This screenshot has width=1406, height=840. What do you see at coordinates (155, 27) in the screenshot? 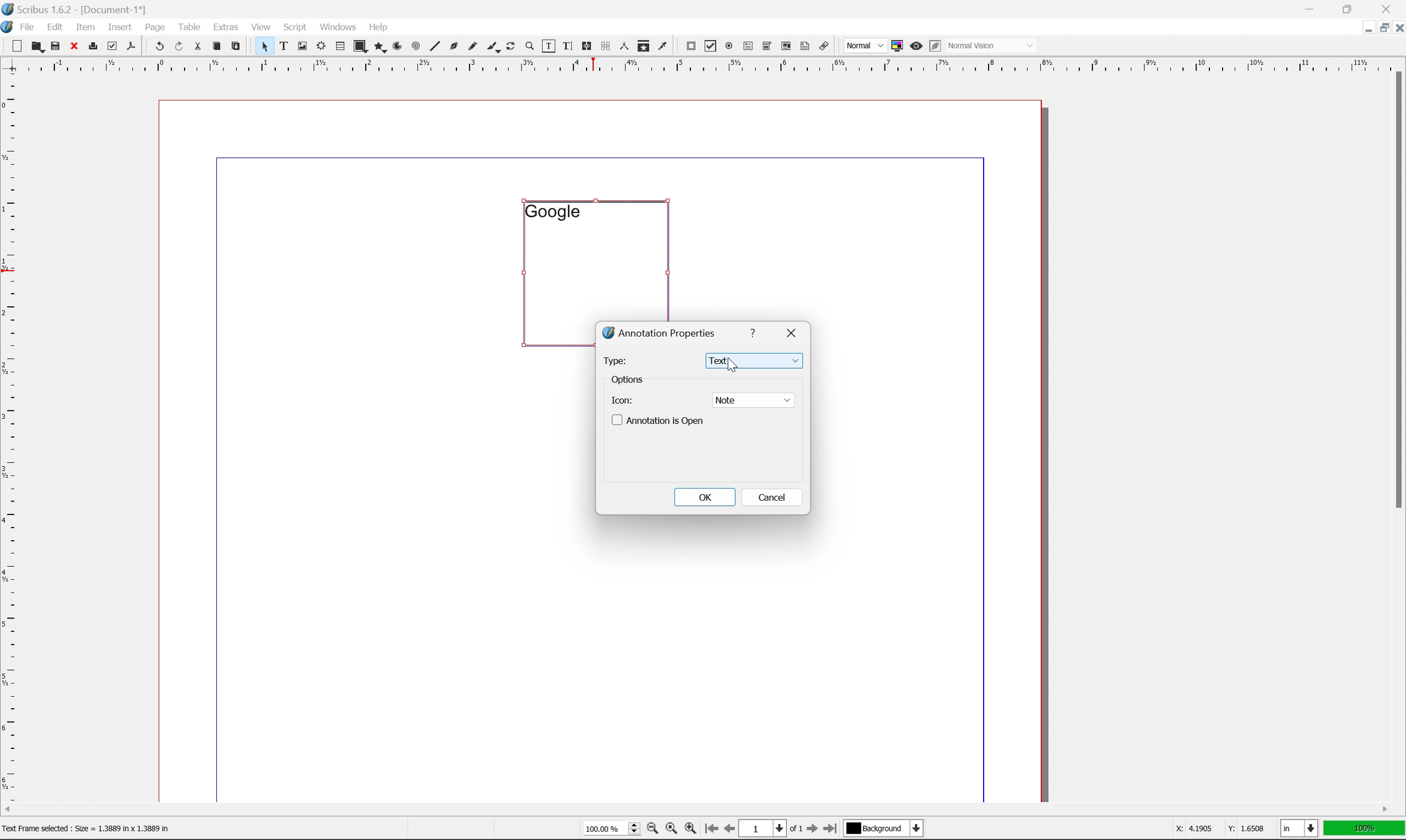
I see `page` at bounding box center [155, 27].